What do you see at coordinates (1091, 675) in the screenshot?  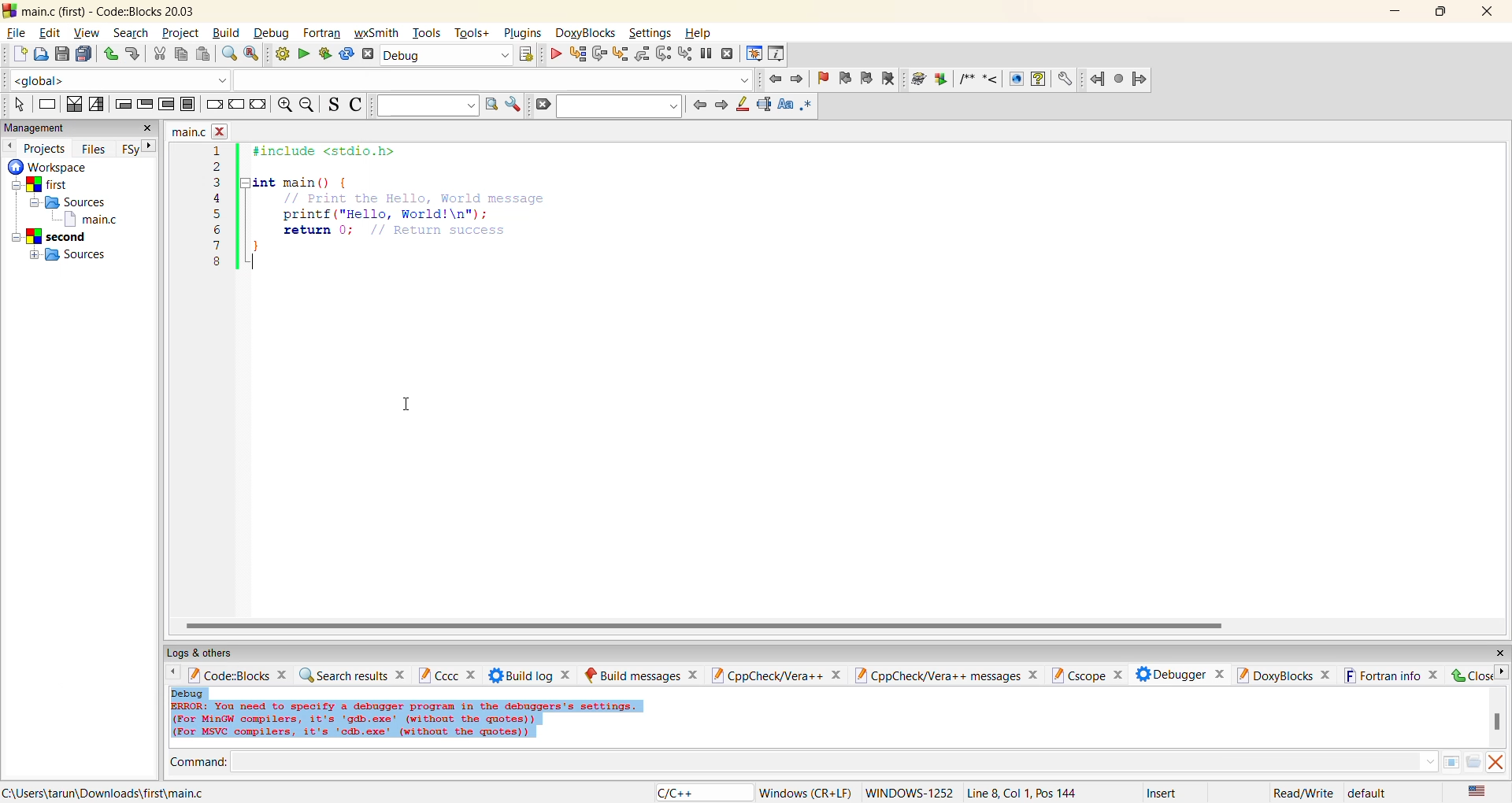 I see `cscope` at bounding box center [1091, 675].